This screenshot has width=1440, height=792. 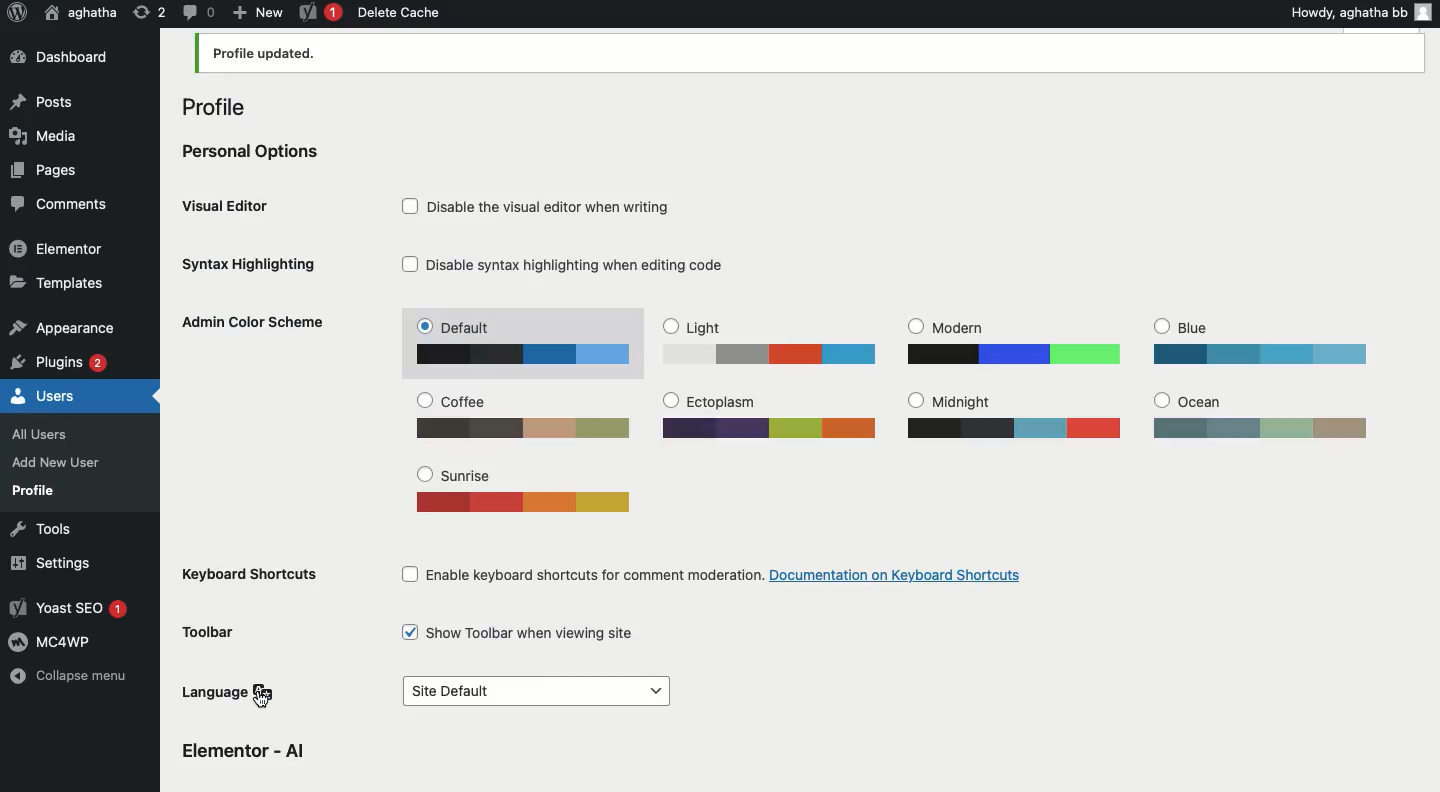 I want to click on Default, so click(x=528, y=343).